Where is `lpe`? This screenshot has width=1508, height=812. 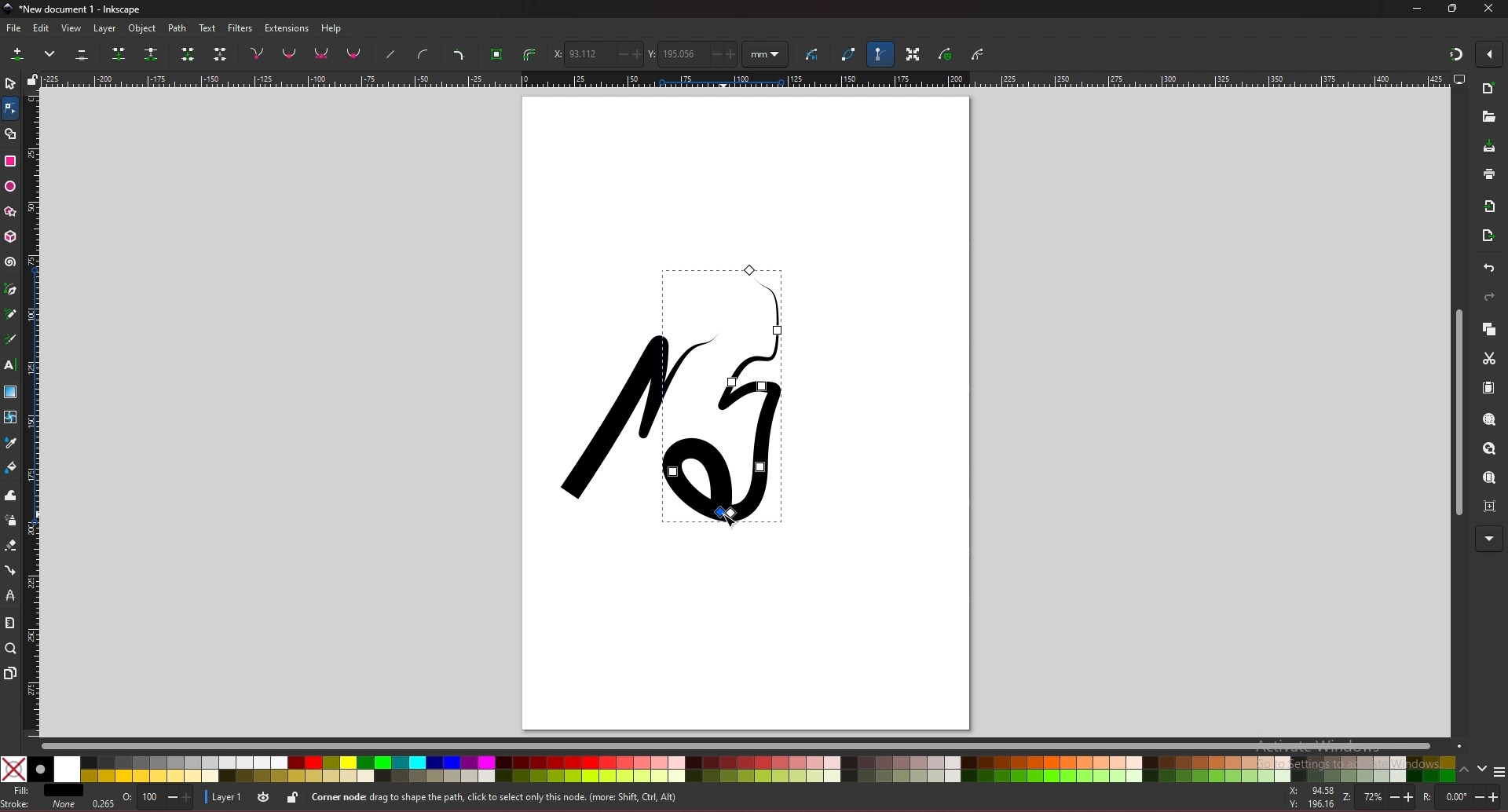 lpe is located at coordinates (12, 596).